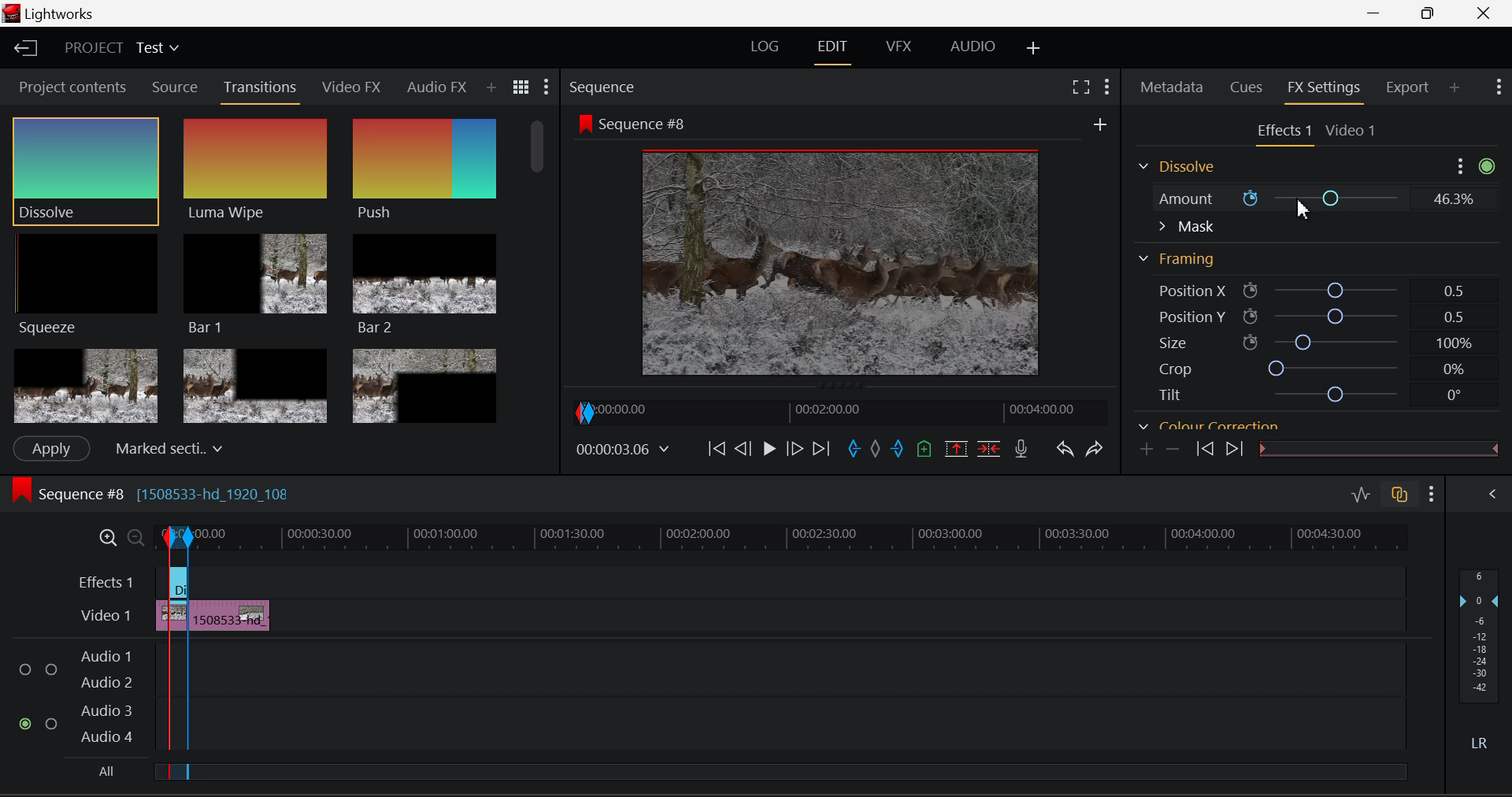 The image size is (1512, 797). Describe the element at coordinates (1181, 168) in the screenshot. I see `Dissolve Section` at that location.